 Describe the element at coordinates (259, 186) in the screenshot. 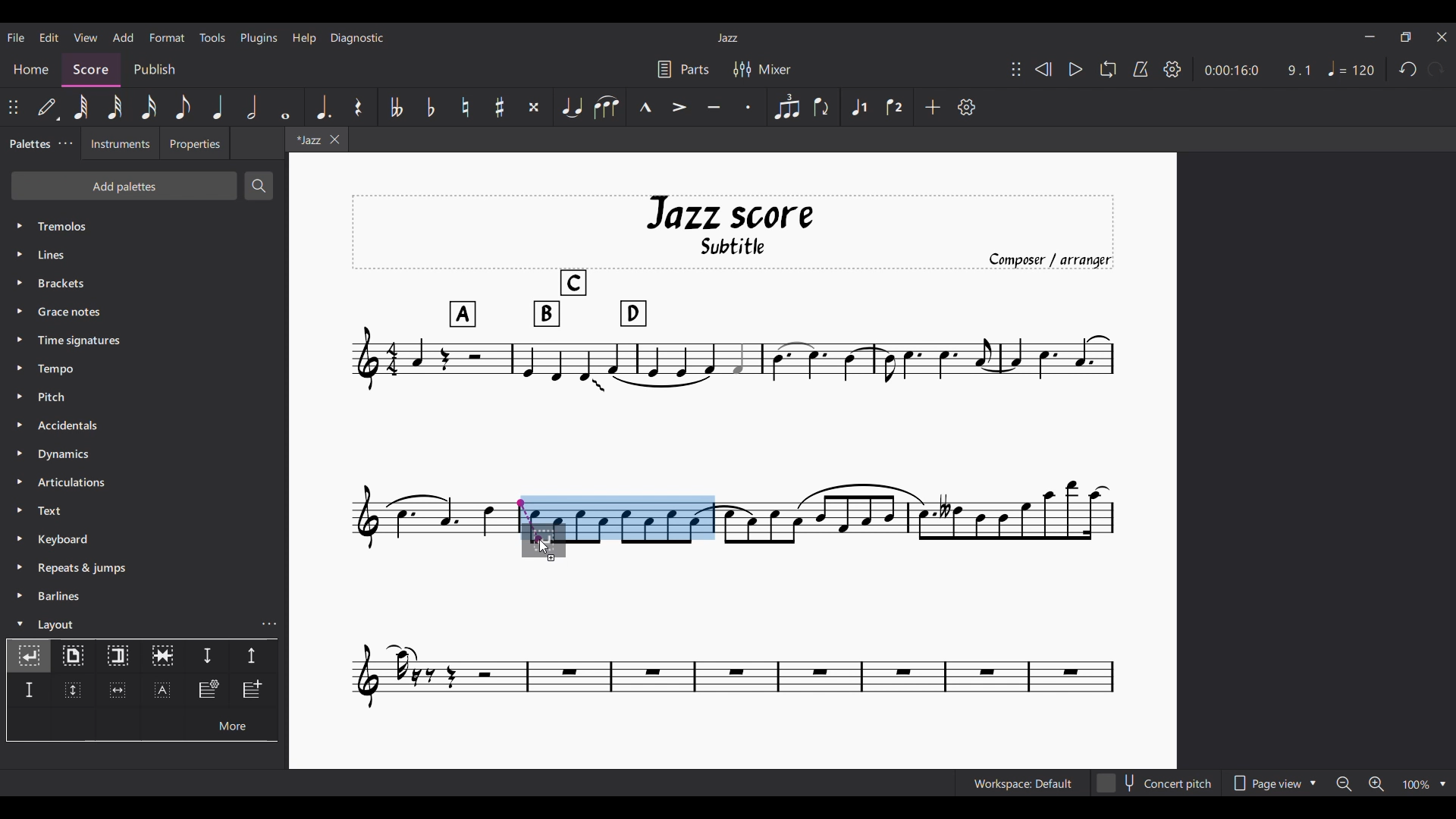

I see `Search` at that location.